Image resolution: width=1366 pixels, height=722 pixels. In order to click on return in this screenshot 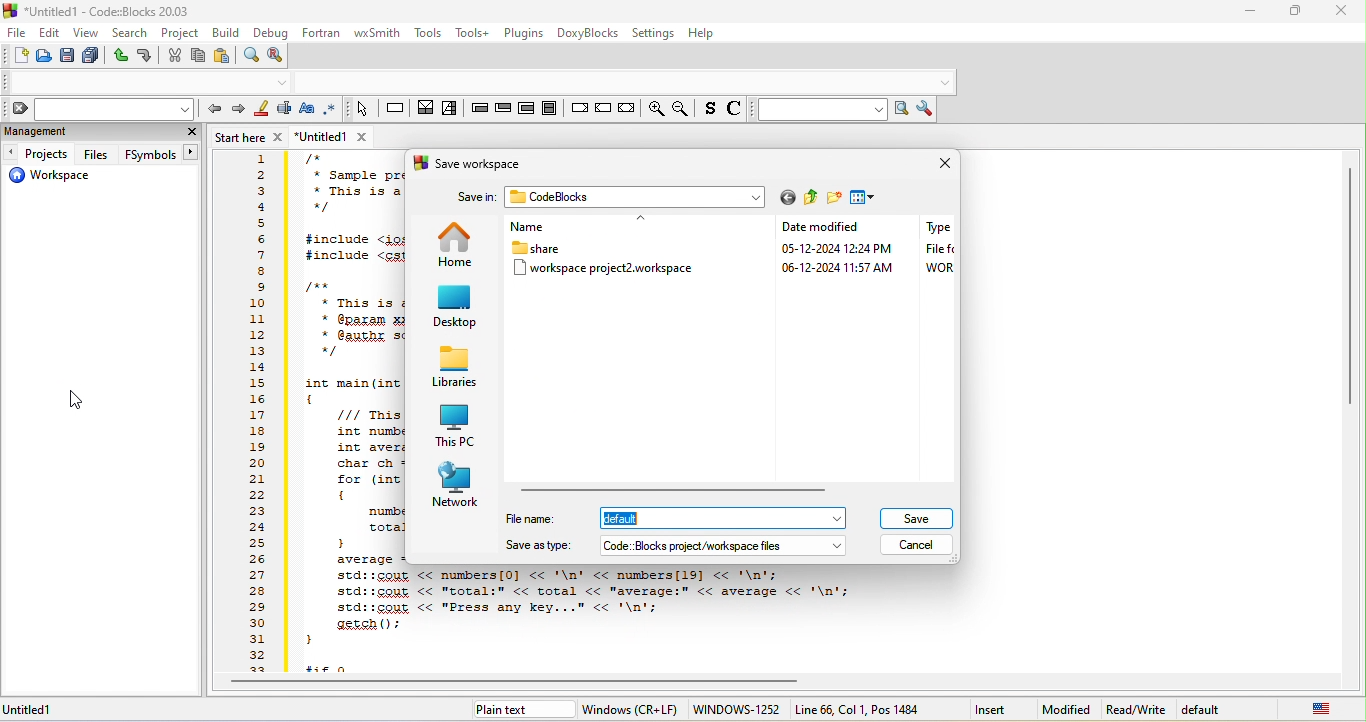, I will do `click(625, 109)`.